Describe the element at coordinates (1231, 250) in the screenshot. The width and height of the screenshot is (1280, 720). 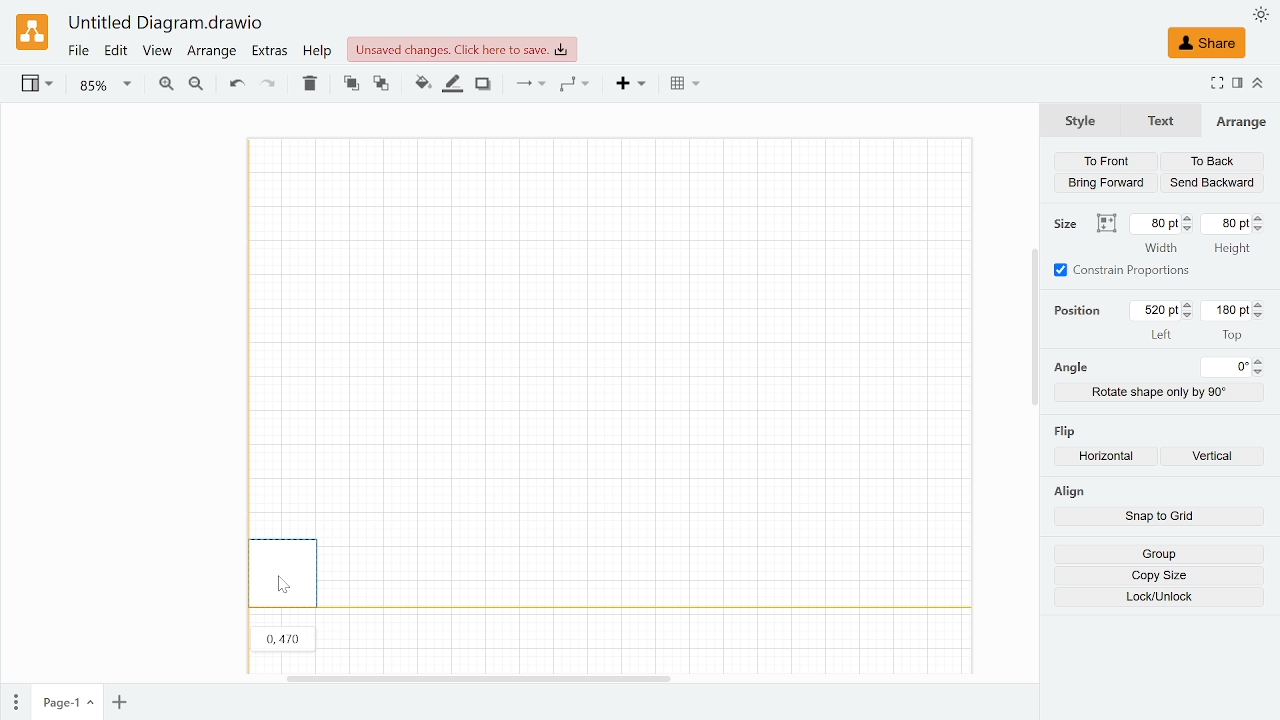
I see `height` at that location.